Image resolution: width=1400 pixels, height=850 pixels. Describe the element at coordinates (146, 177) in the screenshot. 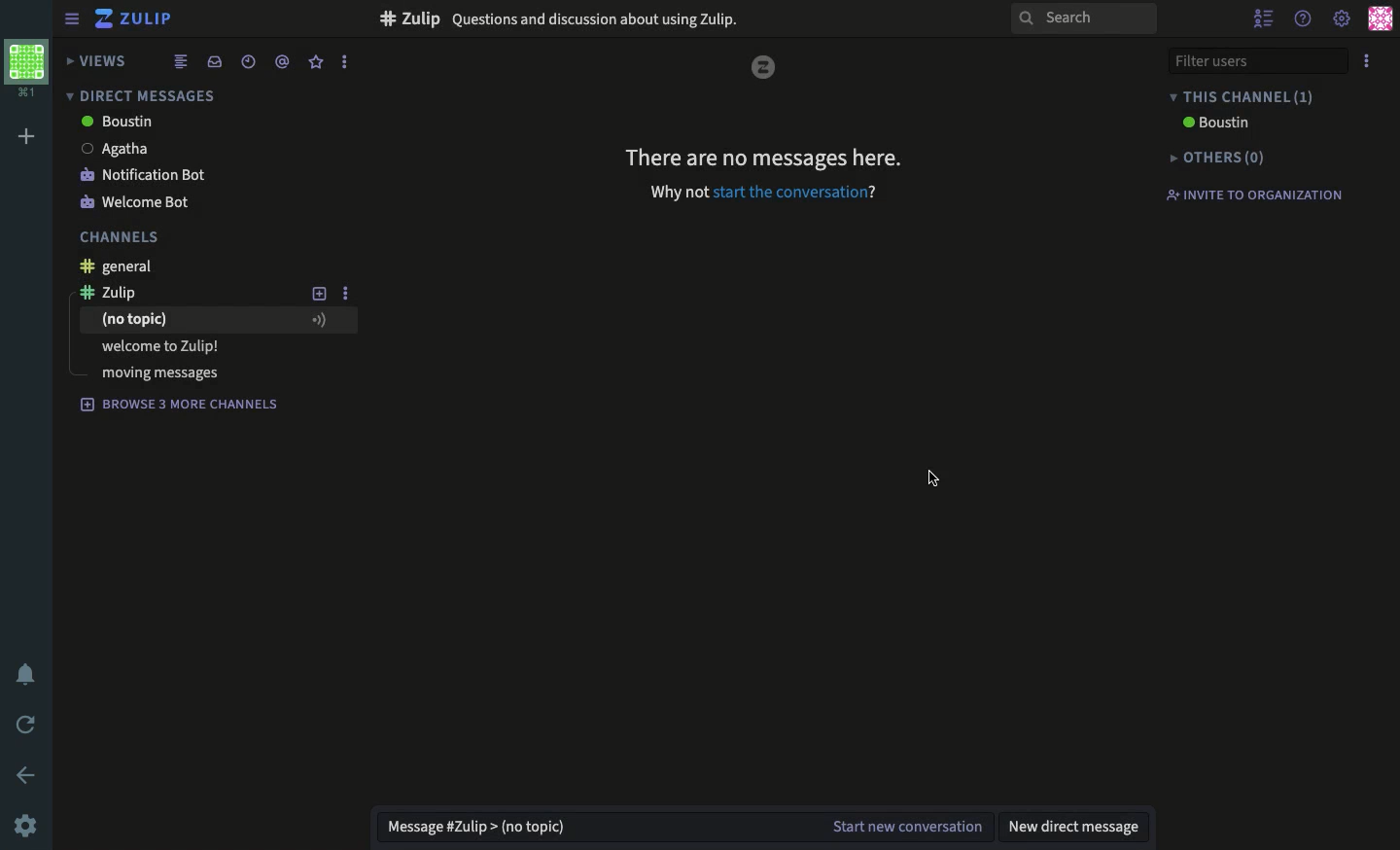

I see `notification bot` at that location.